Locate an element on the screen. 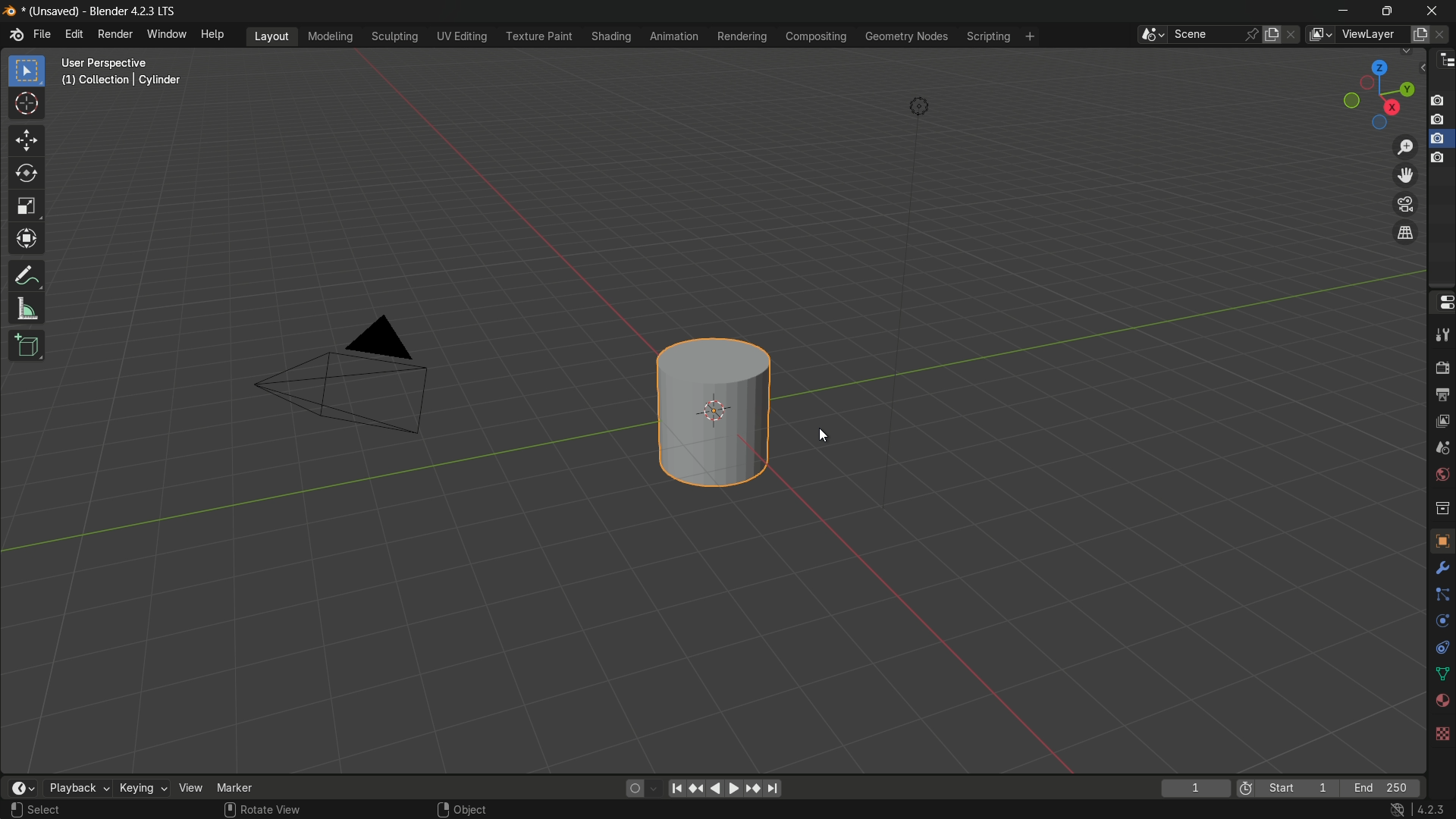 Image resolution: width=1456 pixels, height=819 pixels. animation is located at coordinates (674, 36).